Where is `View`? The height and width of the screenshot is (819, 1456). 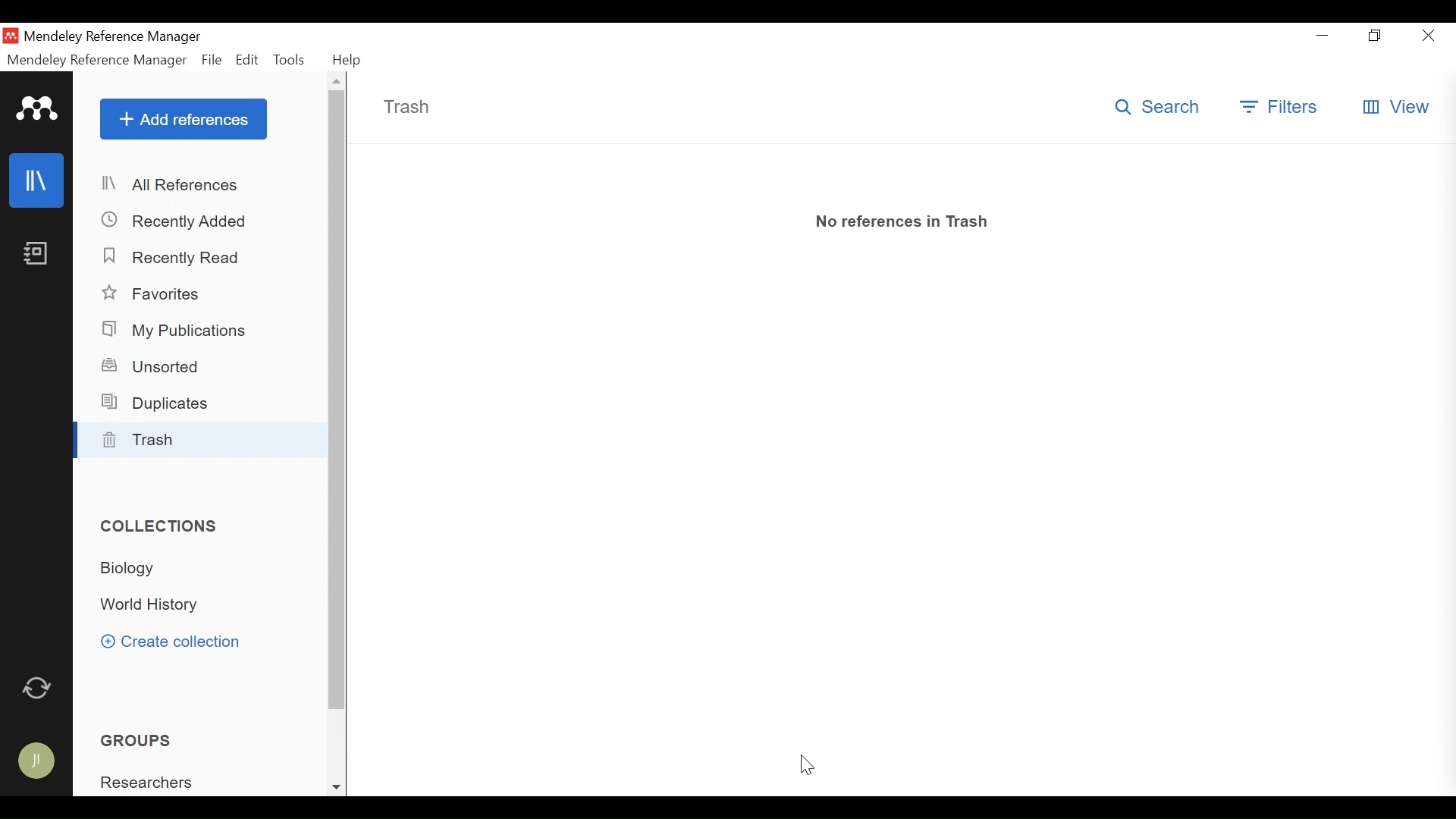
View is located at coordinates (1398, 107).